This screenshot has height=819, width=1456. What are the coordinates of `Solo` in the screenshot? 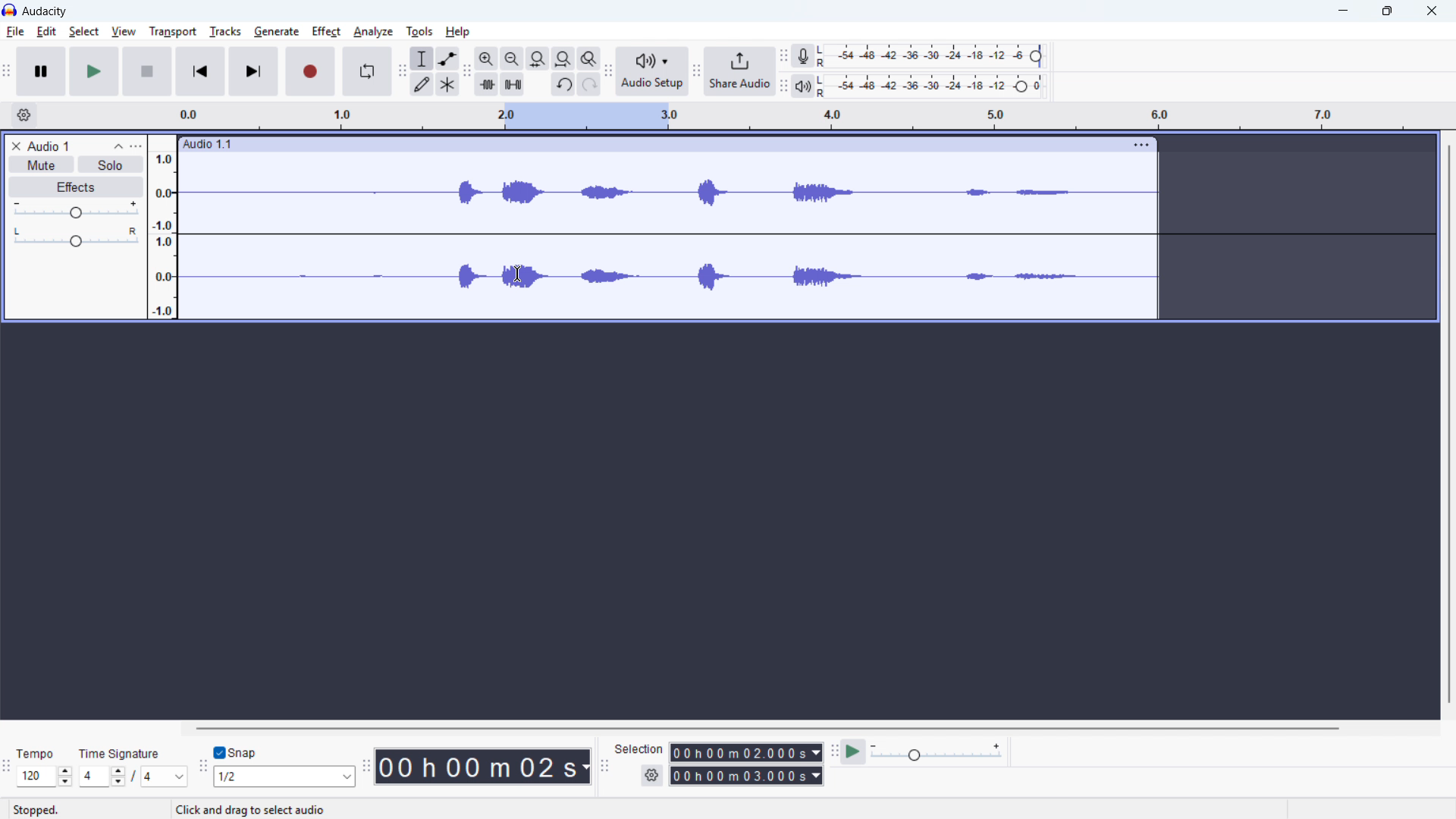 It's located at (111, 165).